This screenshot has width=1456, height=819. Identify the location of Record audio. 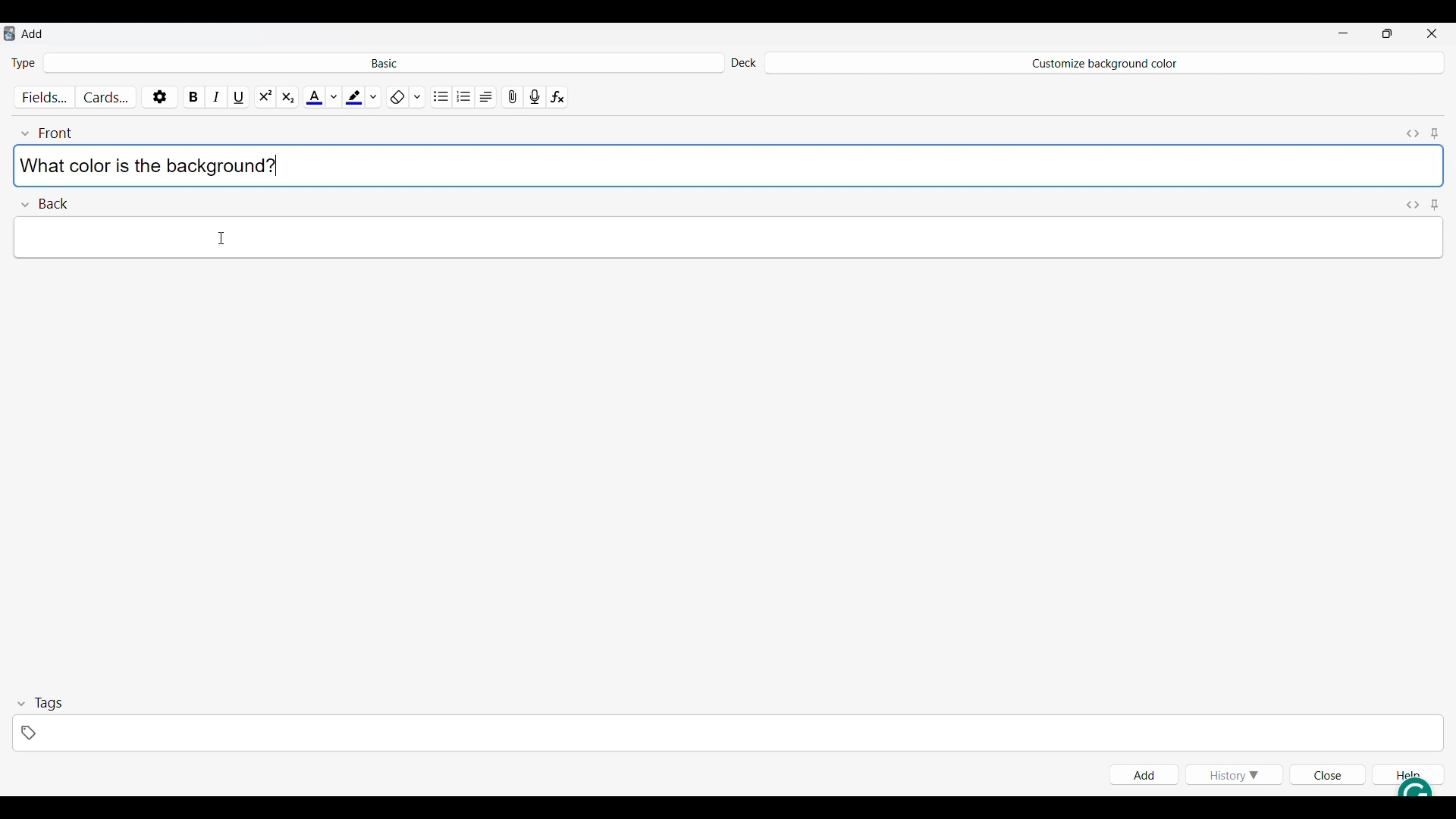
(535, 95).